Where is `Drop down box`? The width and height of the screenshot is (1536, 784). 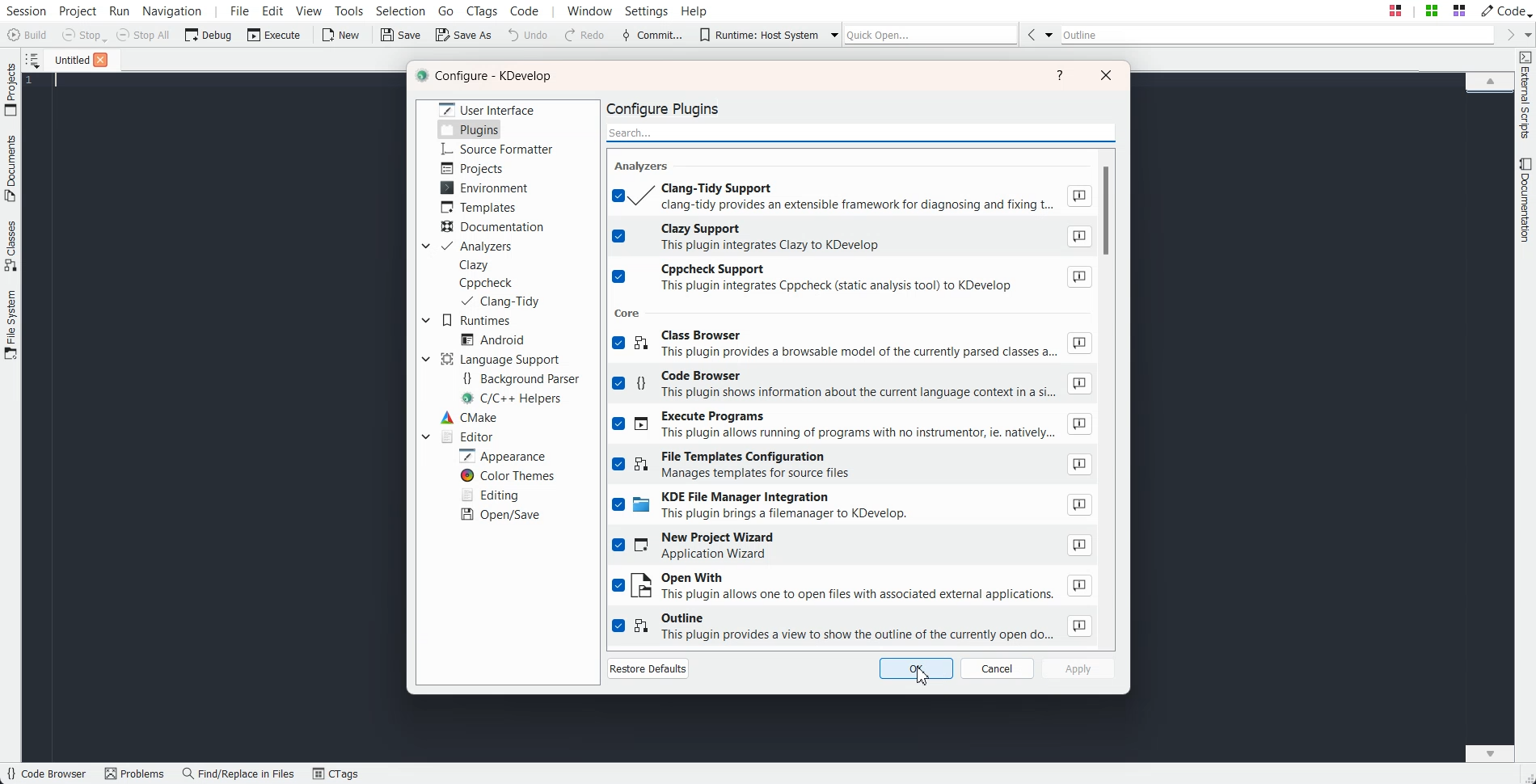
Drop down box is located at coordinates (1526, 34).